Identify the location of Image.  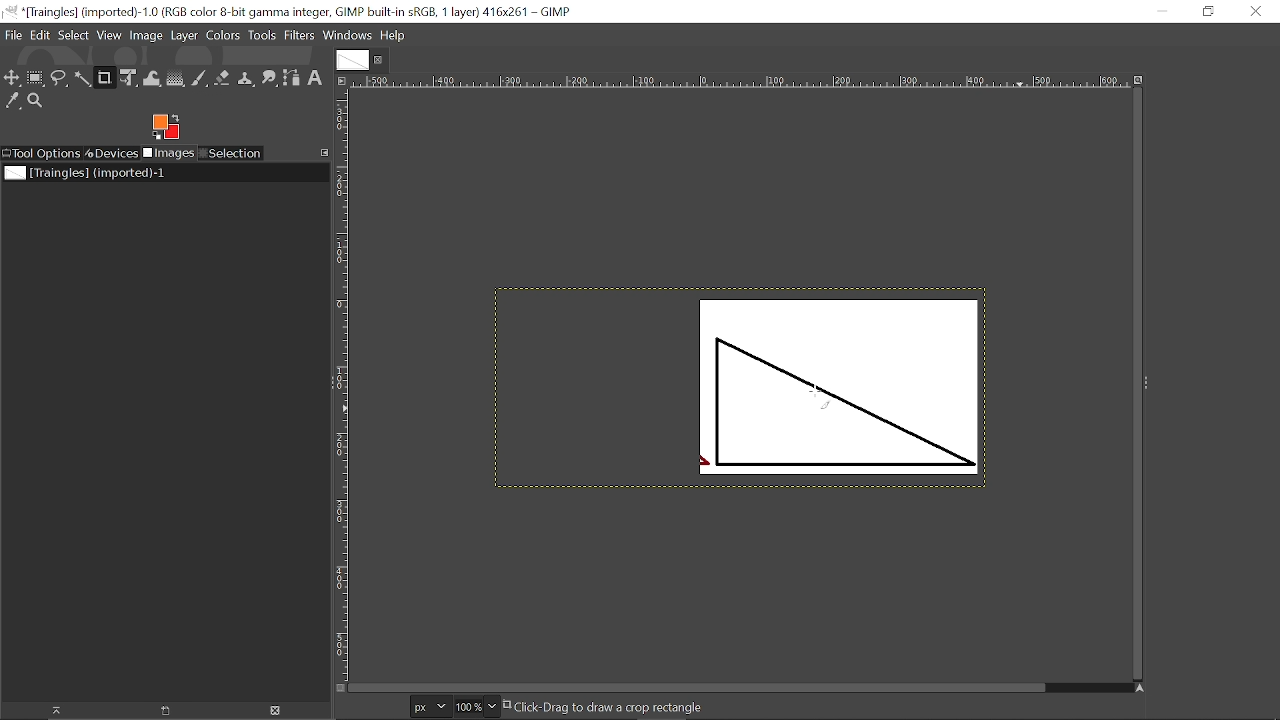
(145, 36).